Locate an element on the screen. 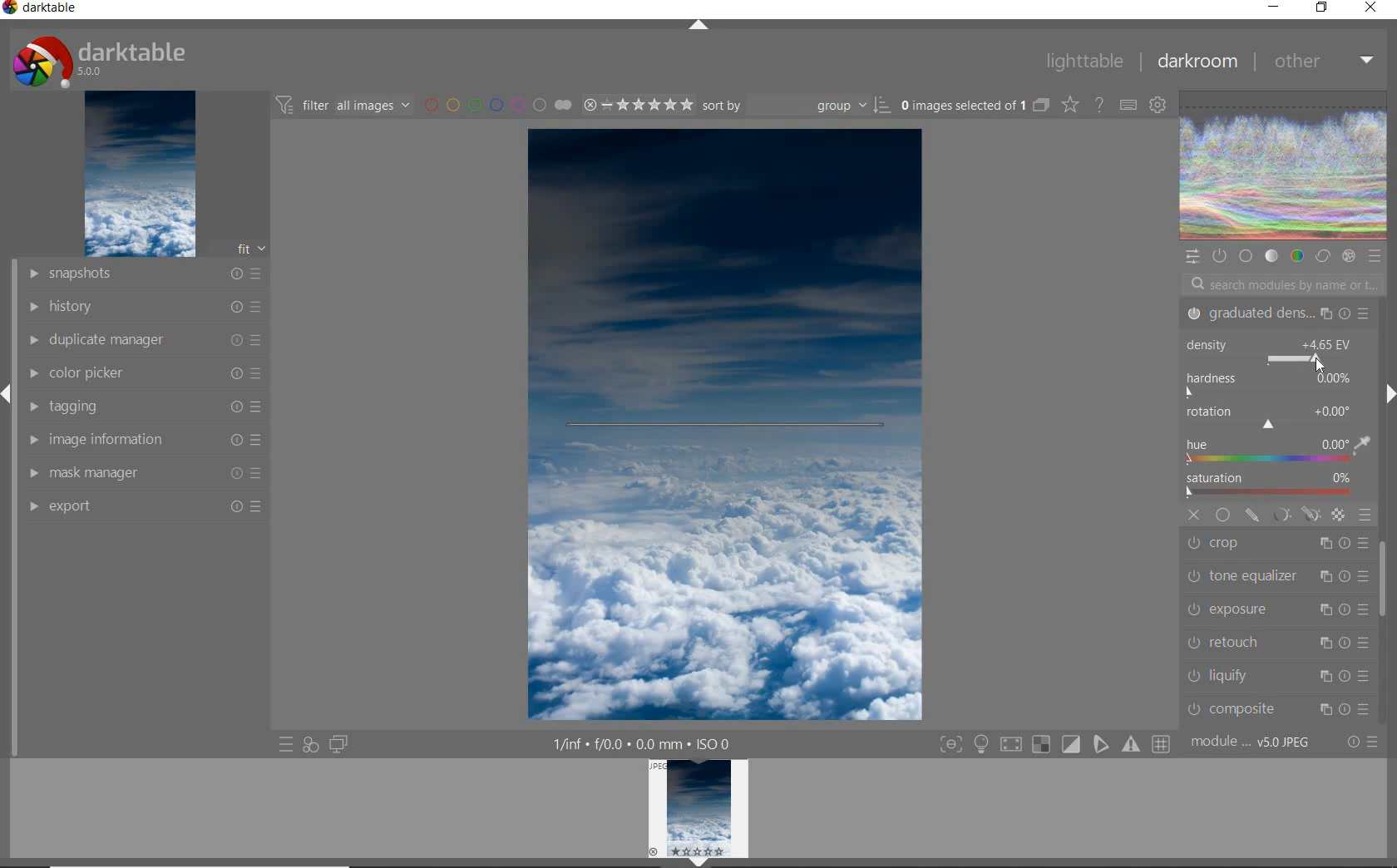  ROTATION is located at coordinates (1271, 418).